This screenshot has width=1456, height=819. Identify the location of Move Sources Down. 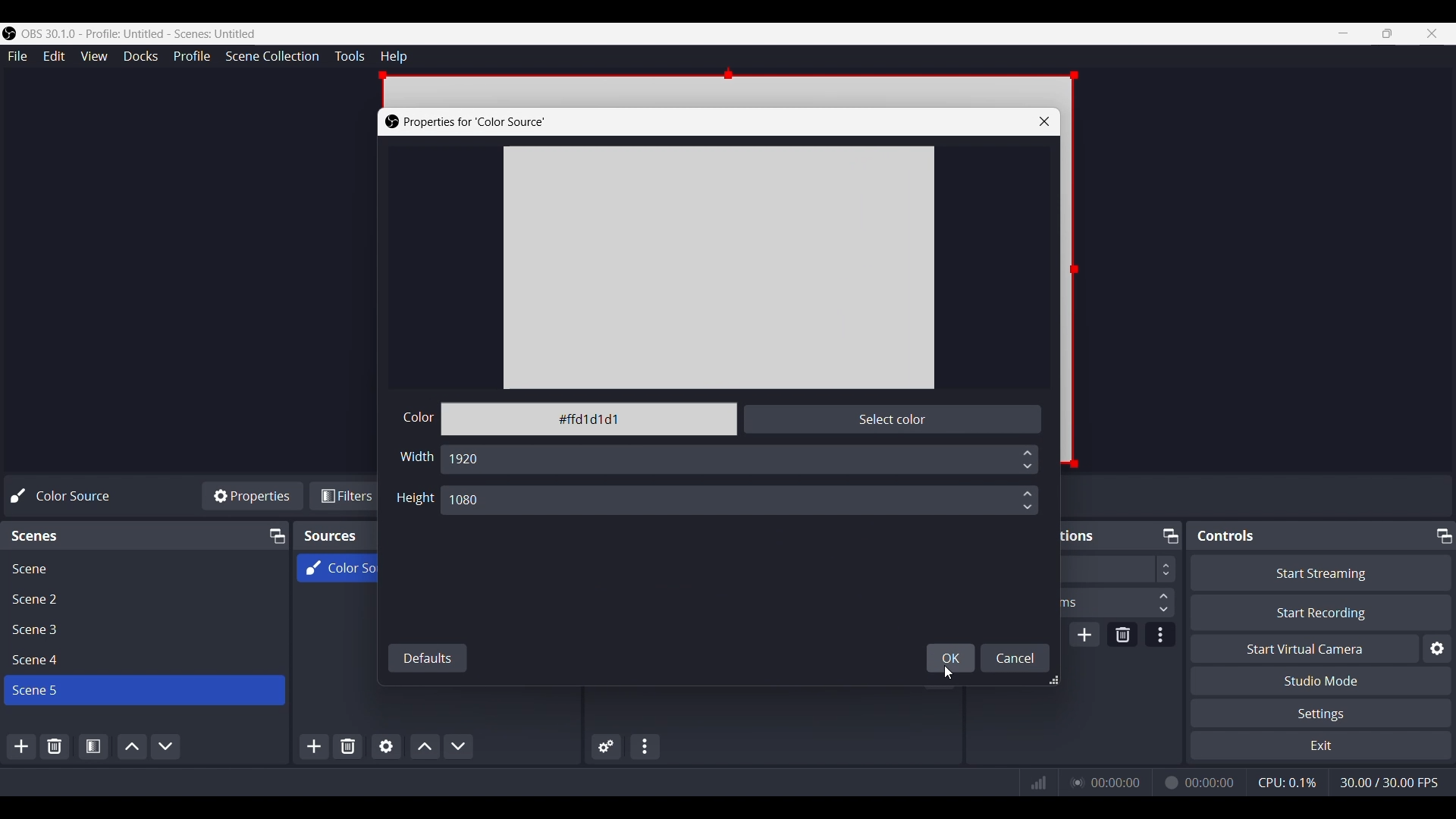
(459, 745).